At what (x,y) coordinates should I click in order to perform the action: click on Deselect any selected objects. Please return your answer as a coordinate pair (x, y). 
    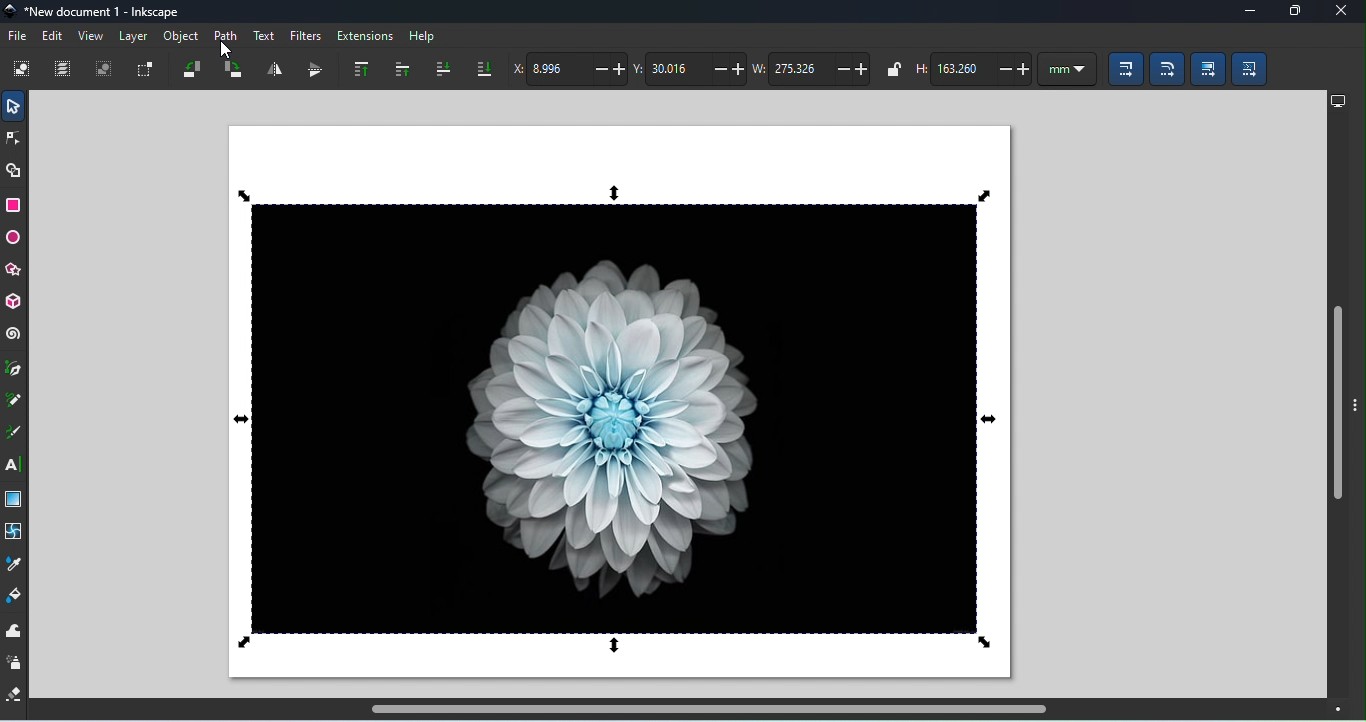
    Looking at the image, I should click on (104, 71).